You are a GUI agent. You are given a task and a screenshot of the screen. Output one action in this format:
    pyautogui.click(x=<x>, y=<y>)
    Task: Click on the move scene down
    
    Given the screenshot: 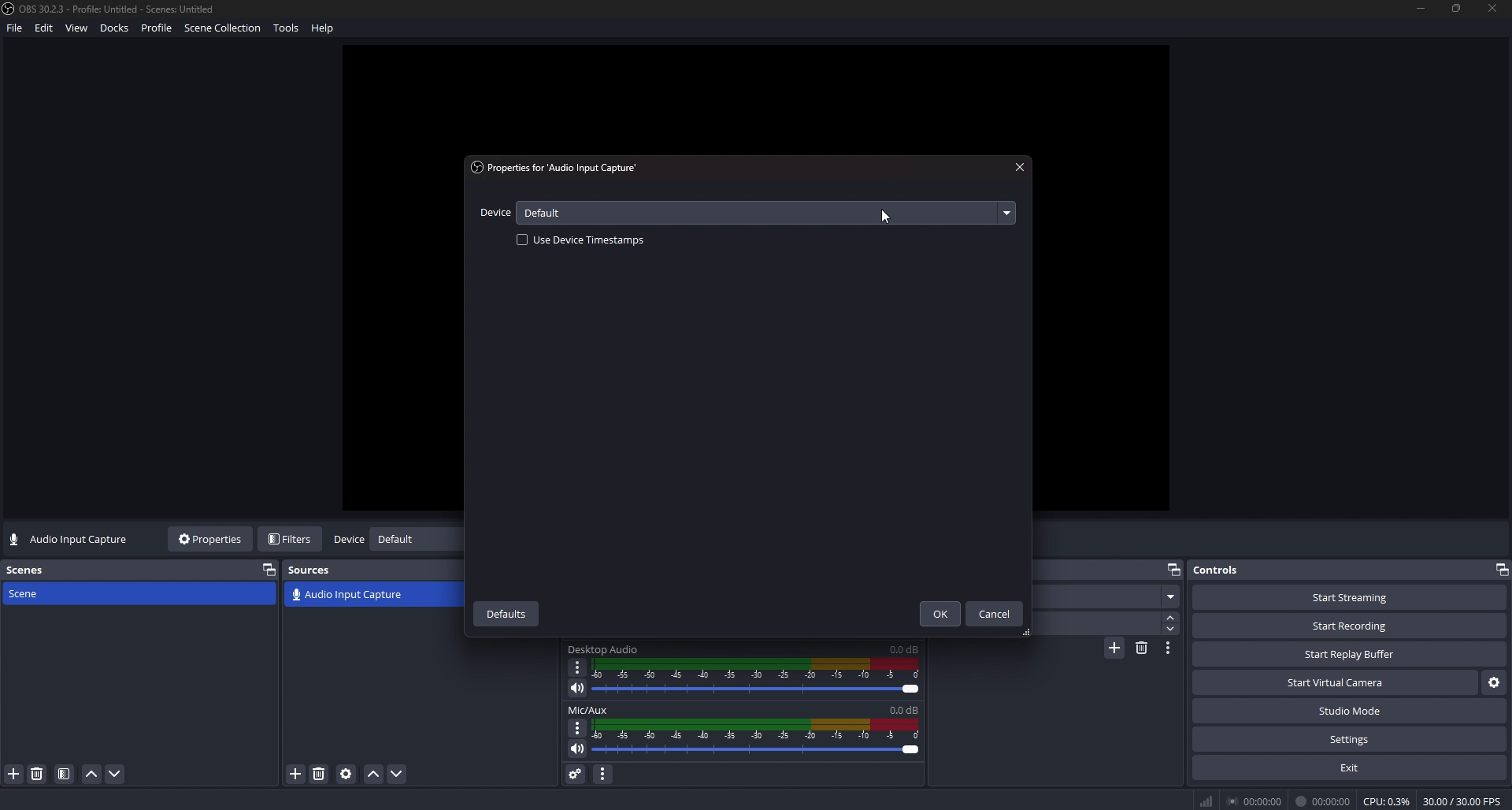 What is the action you would take?
    pyautogui.click(x=117, y=774)
    